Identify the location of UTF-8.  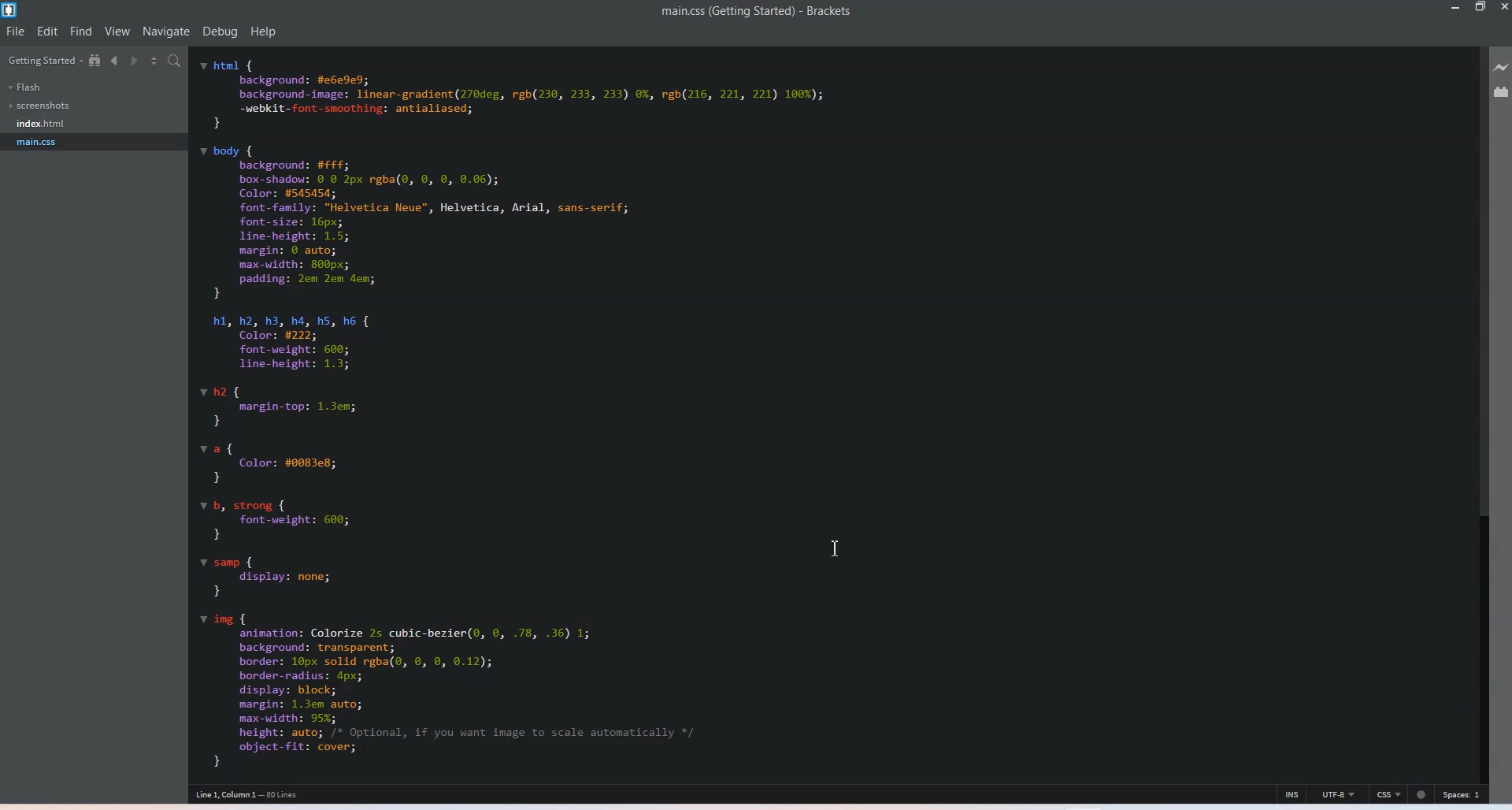
(1340, 794).